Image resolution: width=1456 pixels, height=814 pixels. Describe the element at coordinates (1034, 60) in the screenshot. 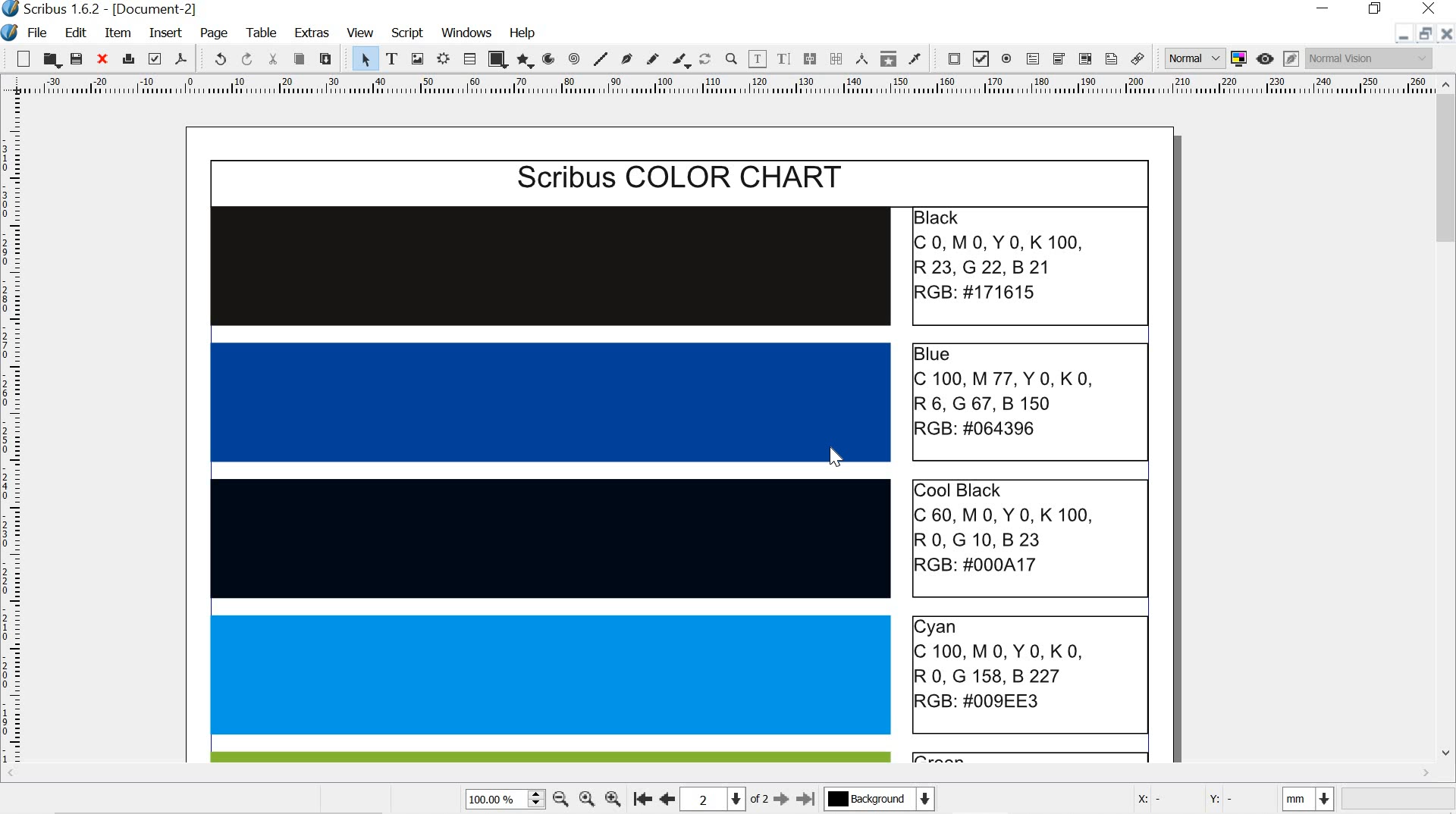

I see `pdf text field` at that location.